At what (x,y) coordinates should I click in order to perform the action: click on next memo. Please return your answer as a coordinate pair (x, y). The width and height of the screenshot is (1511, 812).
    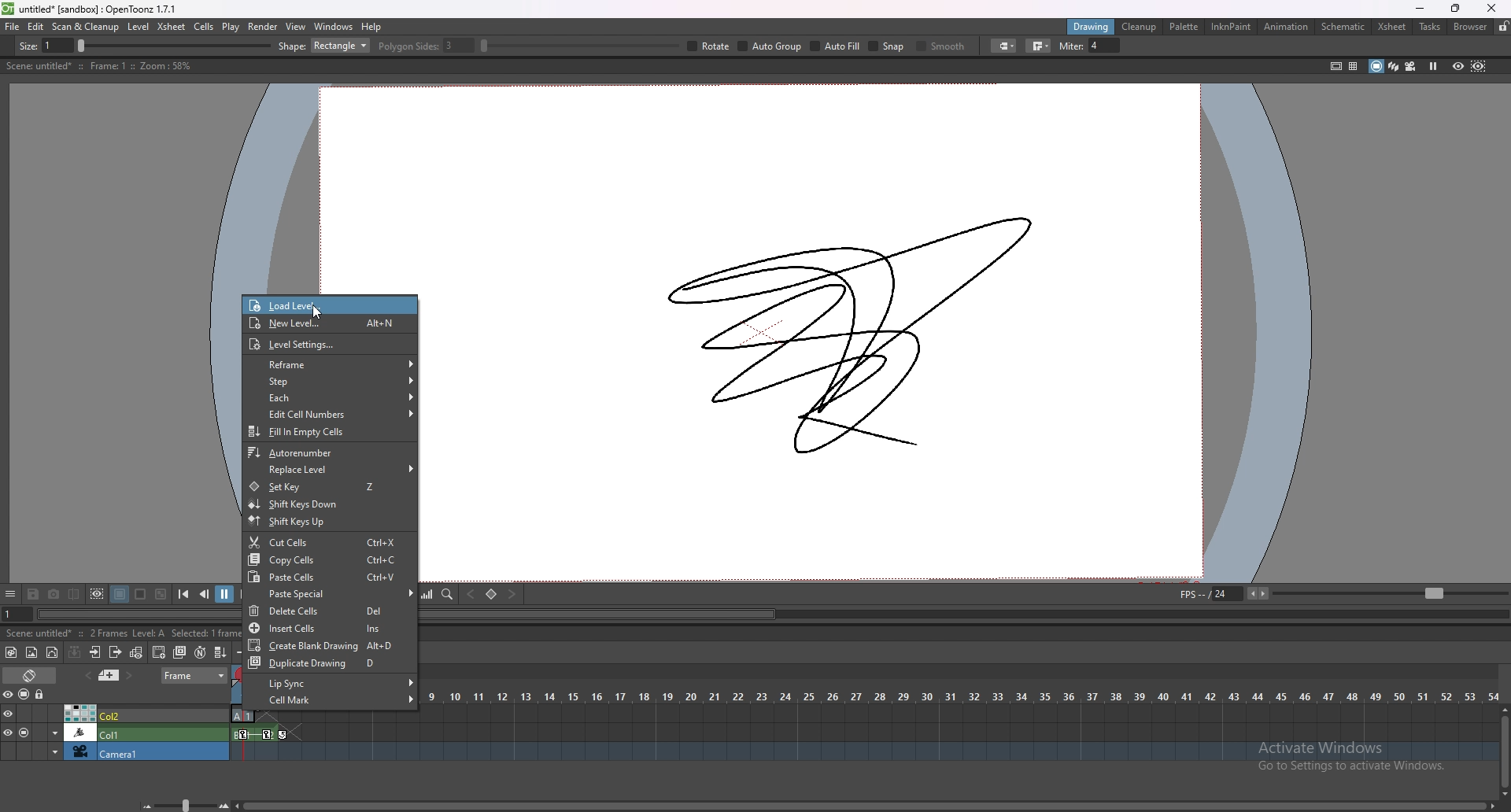
    Looking at the image, I should click on (131, 676).